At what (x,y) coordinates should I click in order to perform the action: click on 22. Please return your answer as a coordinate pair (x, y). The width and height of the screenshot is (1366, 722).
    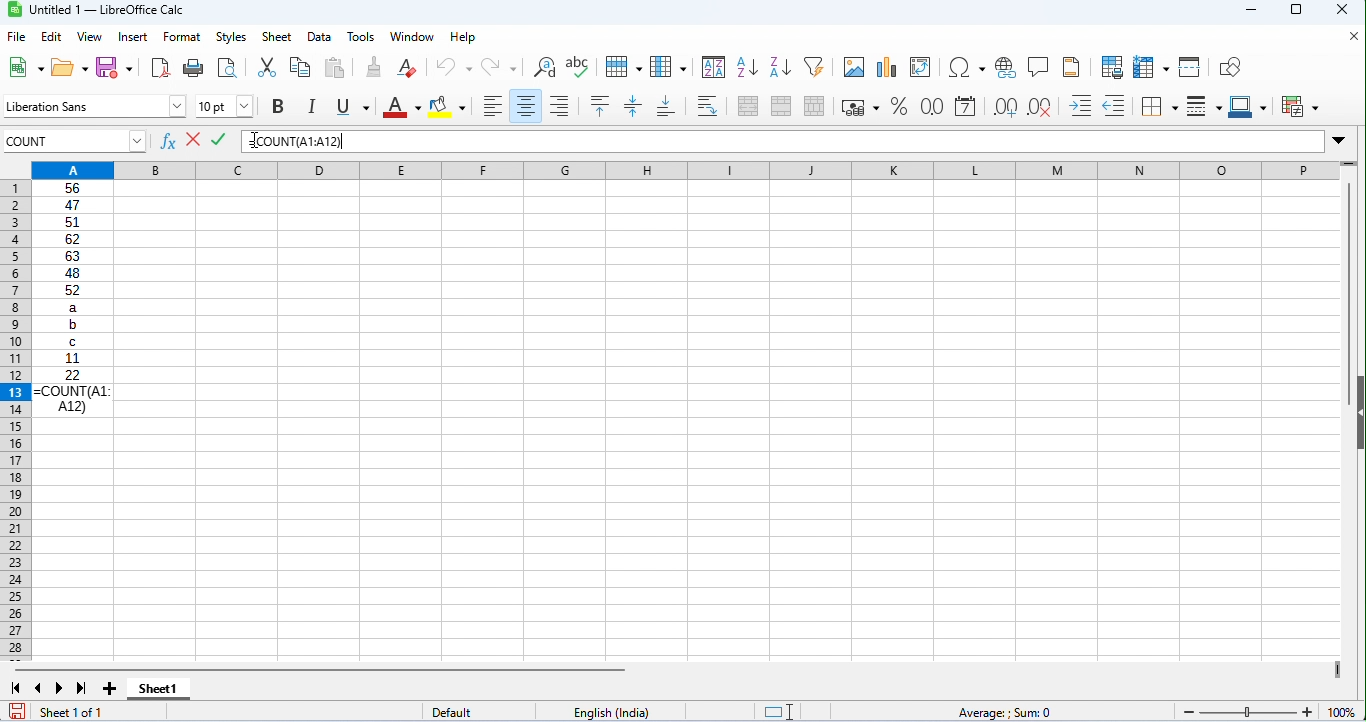
    Looking at the image, I should click on (73, 374).